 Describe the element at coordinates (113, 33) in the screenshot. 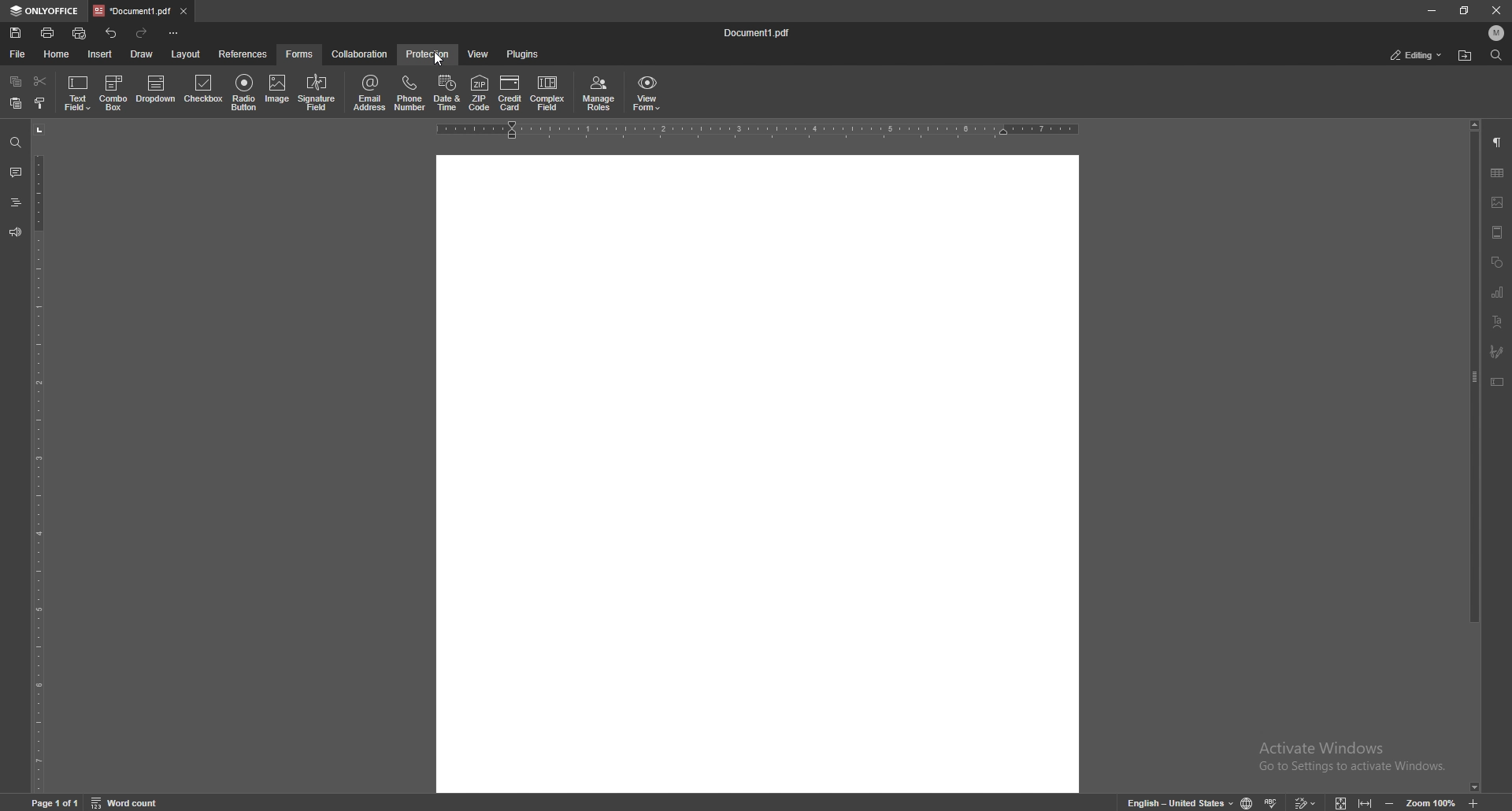

I see `undo` at that location.